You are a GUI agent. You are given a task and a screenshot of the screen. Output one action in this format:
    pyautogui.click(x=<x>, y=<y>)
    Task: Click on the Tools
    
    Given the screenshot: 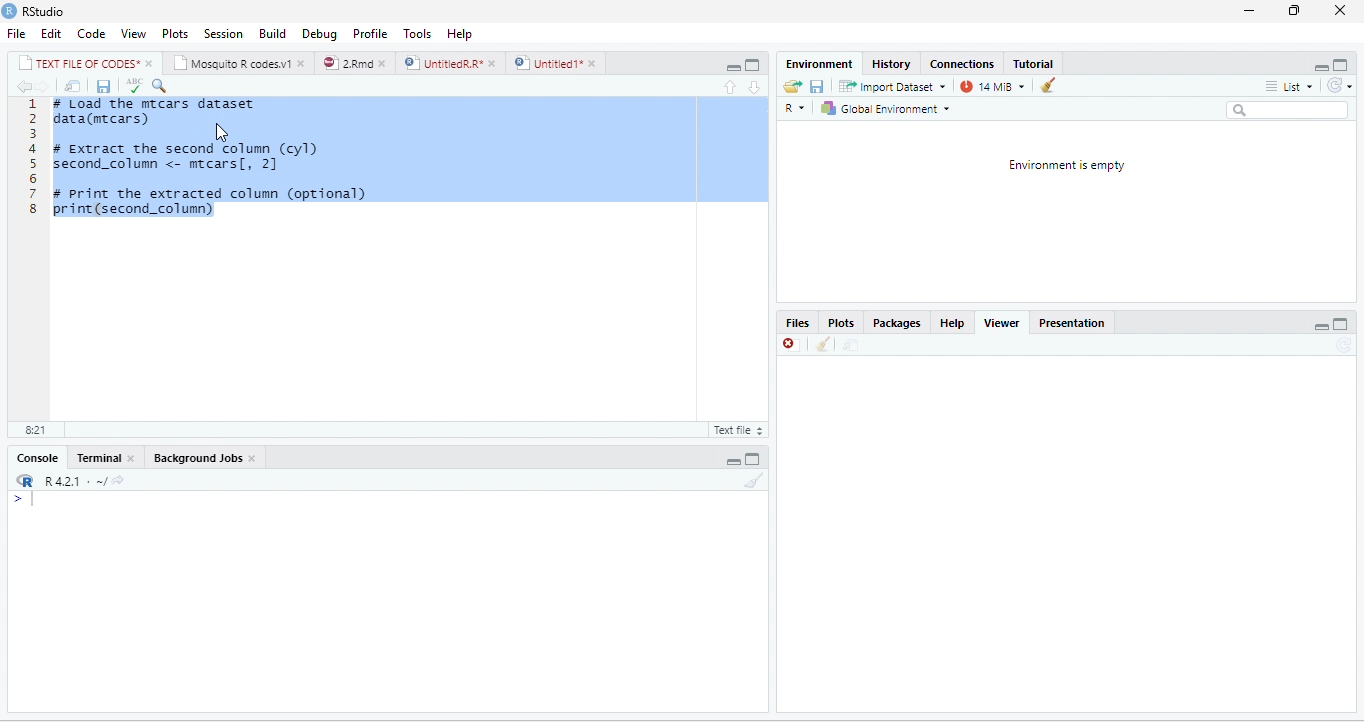 What is the action you would take?
    pyautogui.click(x=418, y=32)
    